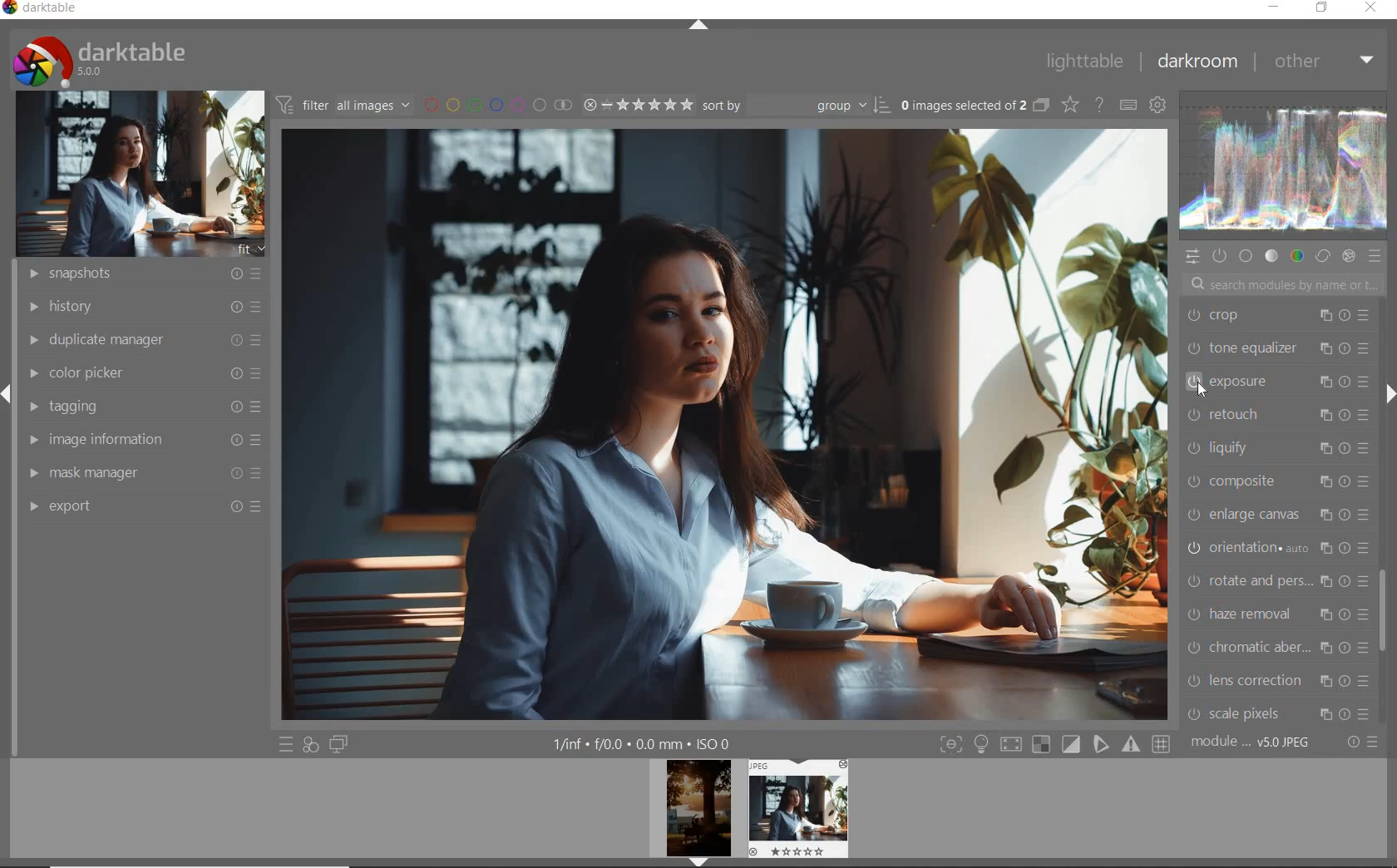 The image size is (1397, 868). I want to click on SELECTED IMAGES, so click(960, 106).